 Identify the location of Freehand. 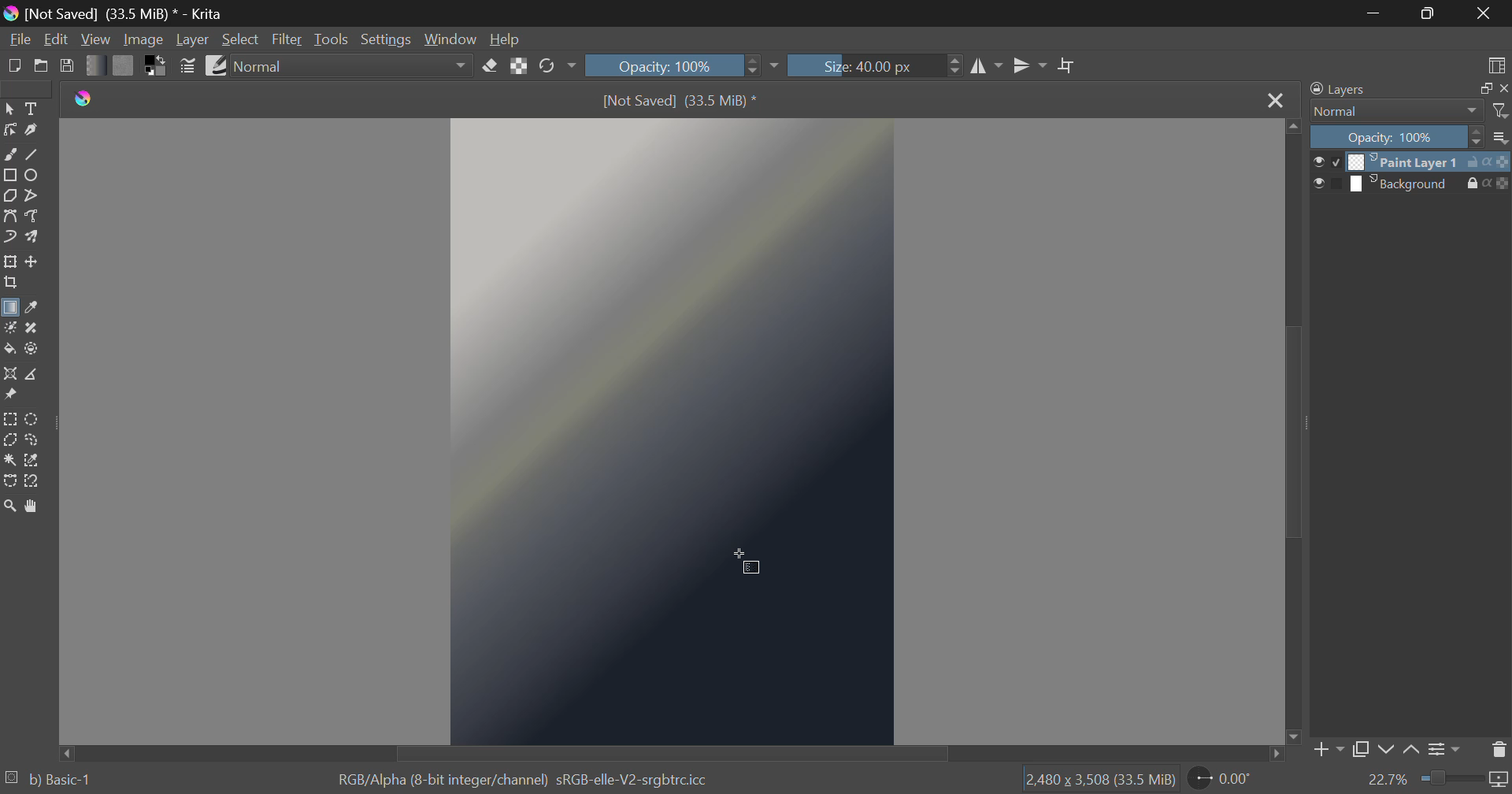
(9, 153).